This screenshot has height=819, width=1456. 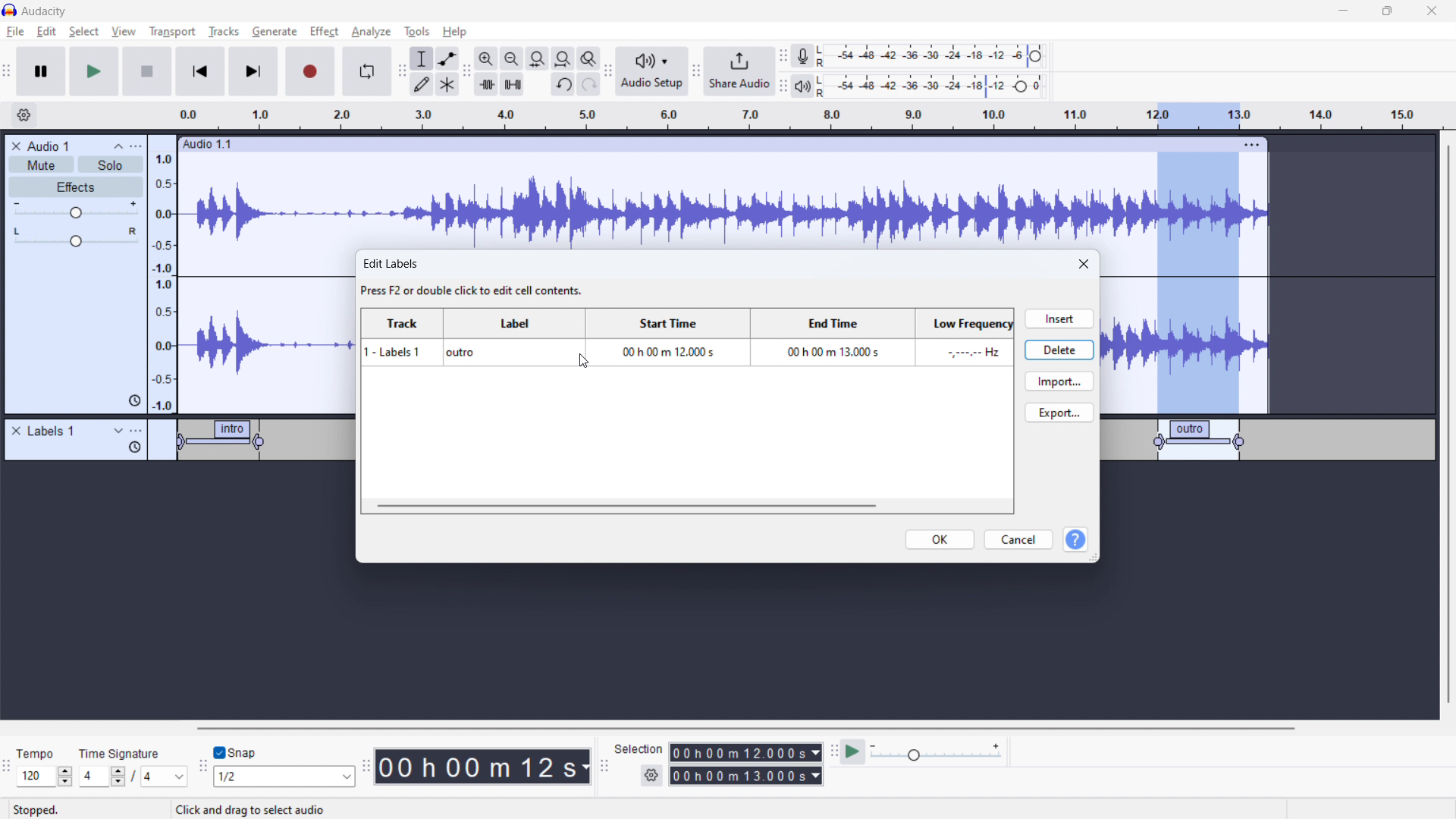 I want to click on track options, so click(x=1254, y=143).